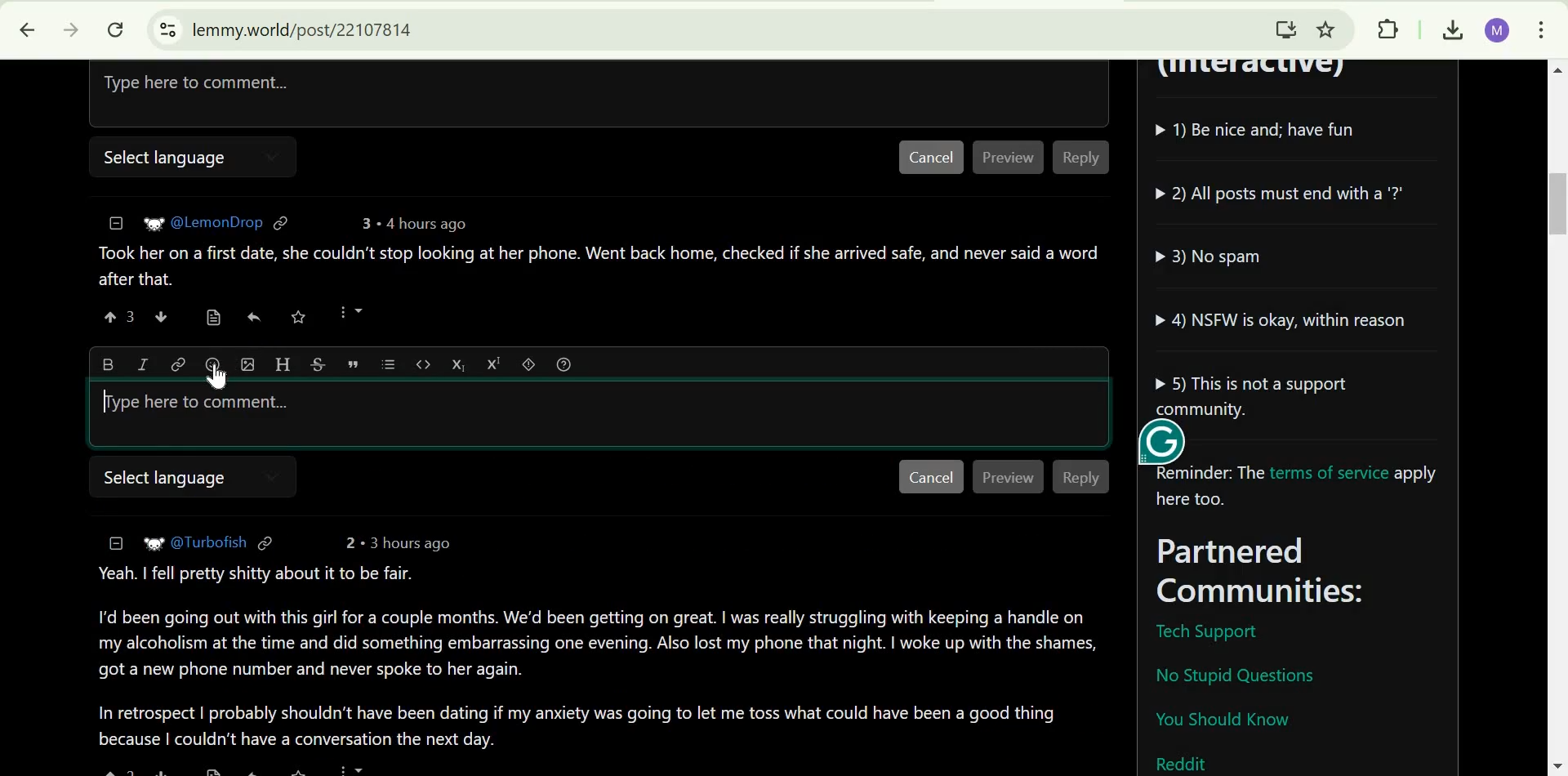  I want to click on list, so click(388, 364).